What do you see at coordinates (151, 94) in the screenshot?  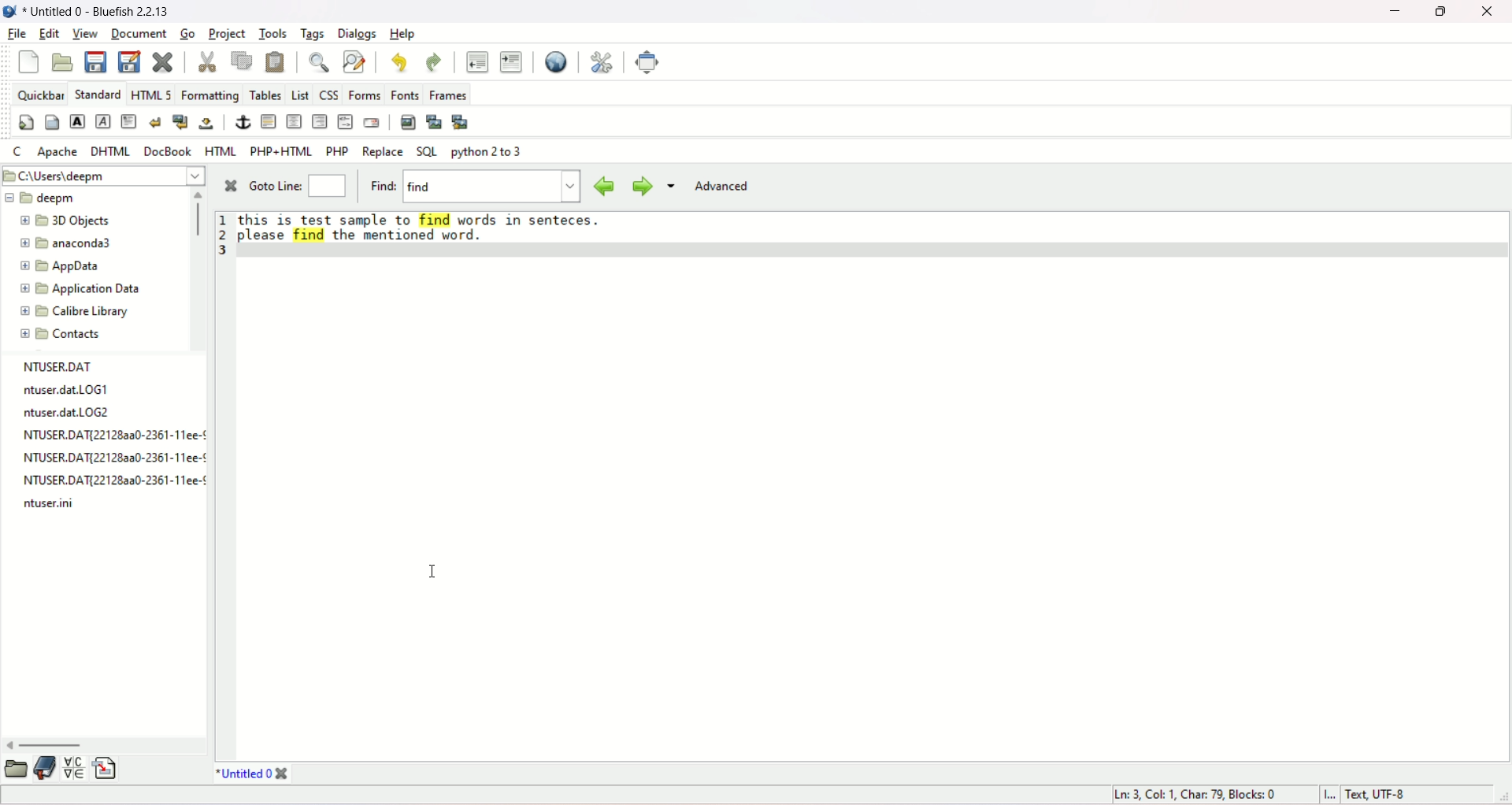 I see `HTML 5` at bounding box center [151, 94].